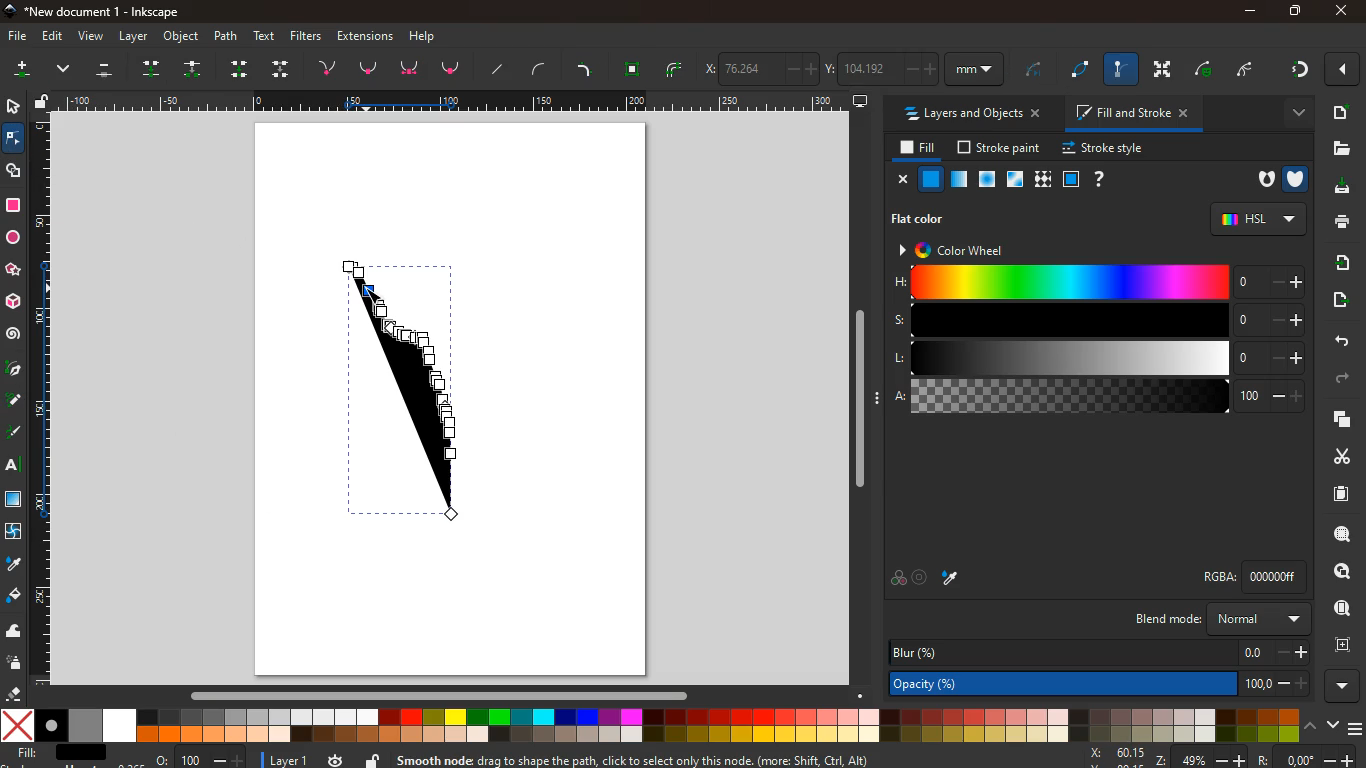 The image size is (1366, 768). I want to click on more, so click(1346, 686).